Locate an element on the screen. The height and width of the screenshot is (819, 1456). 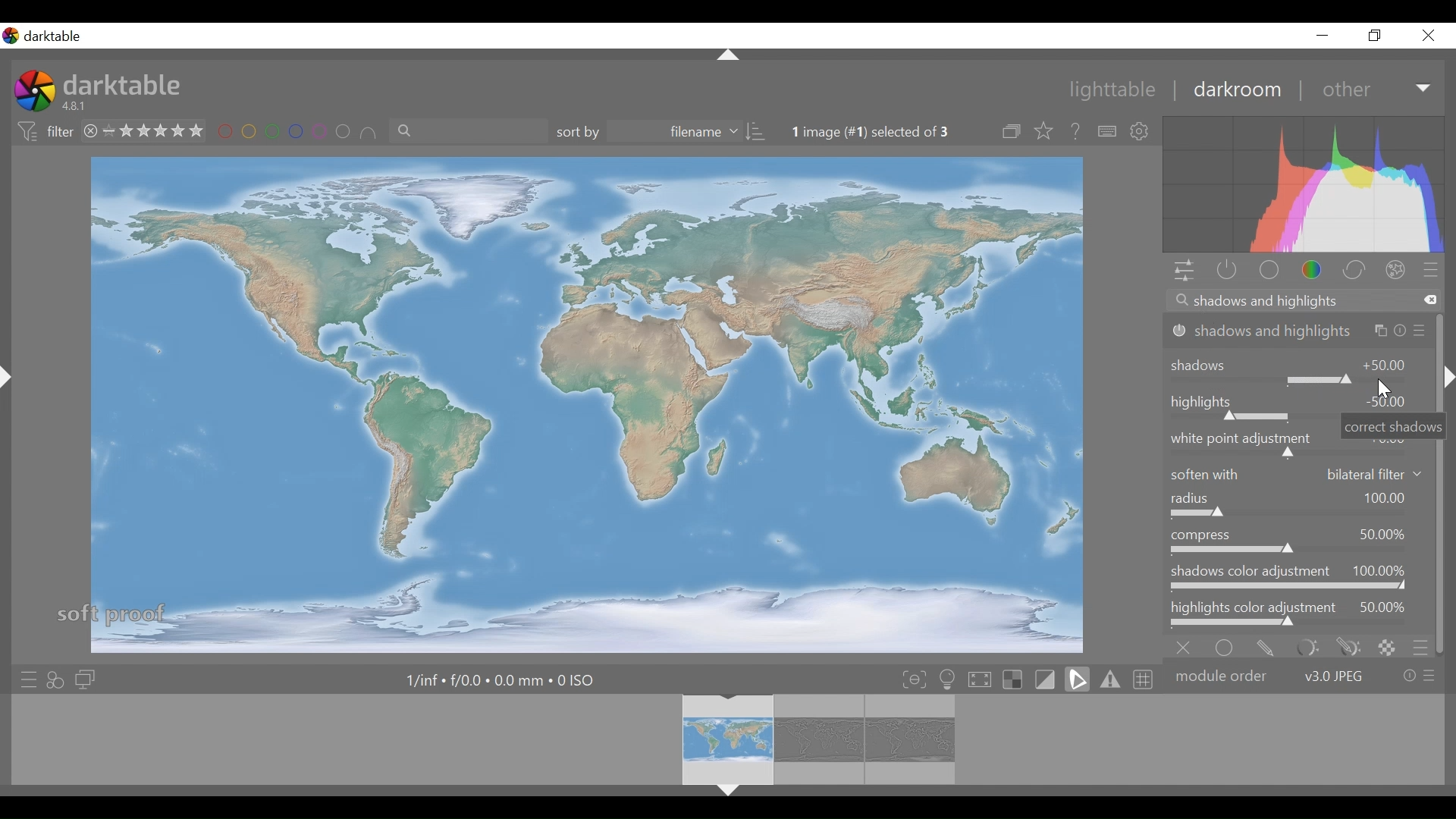
module order is located at coordinates (1305, 675).